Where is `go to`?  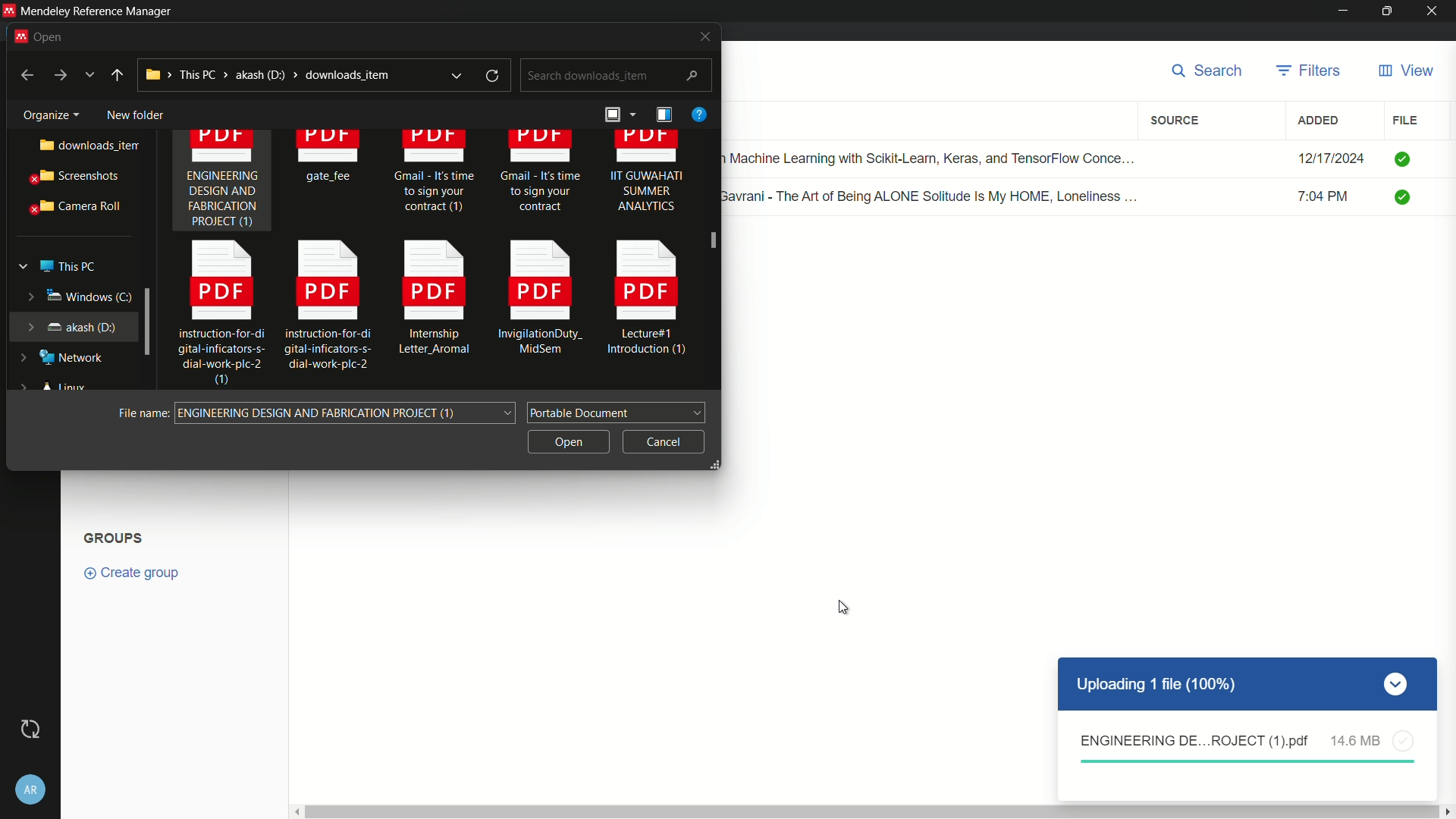
go to is located at coordinates (59, 76).